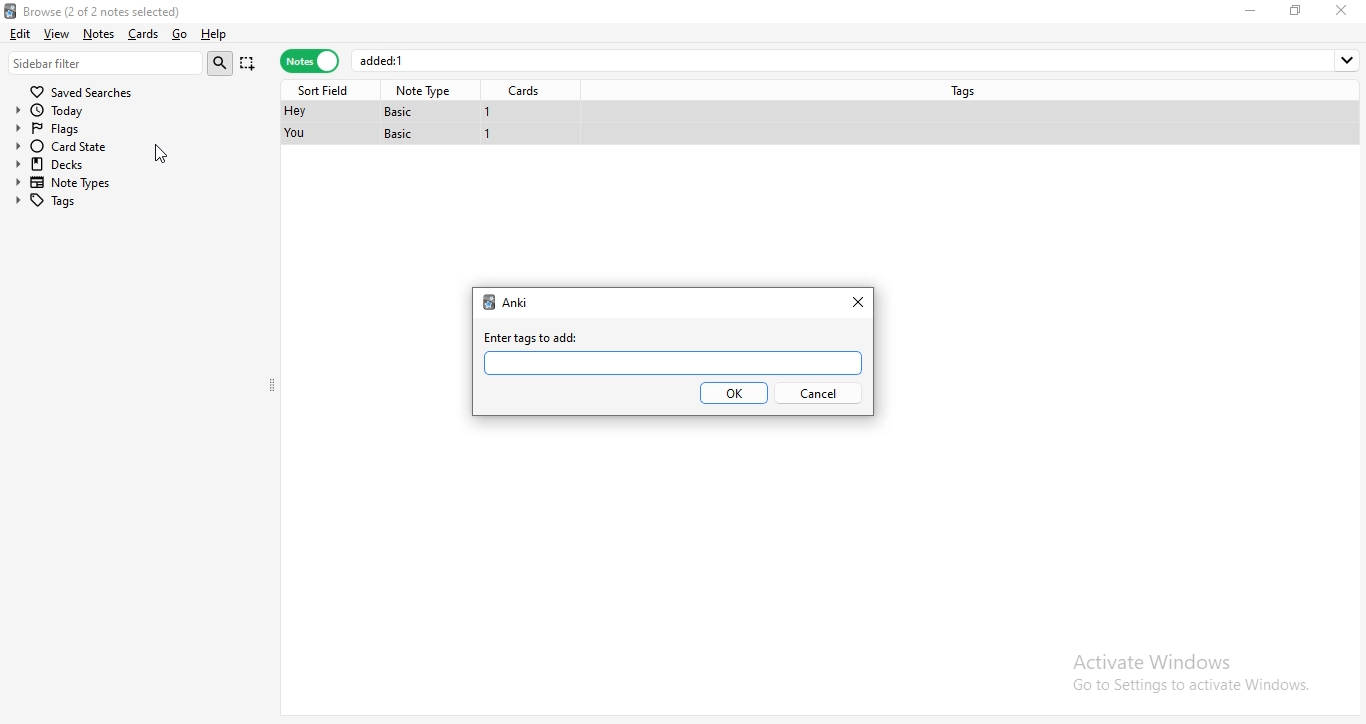  I want to click on help, so click(214, 35).